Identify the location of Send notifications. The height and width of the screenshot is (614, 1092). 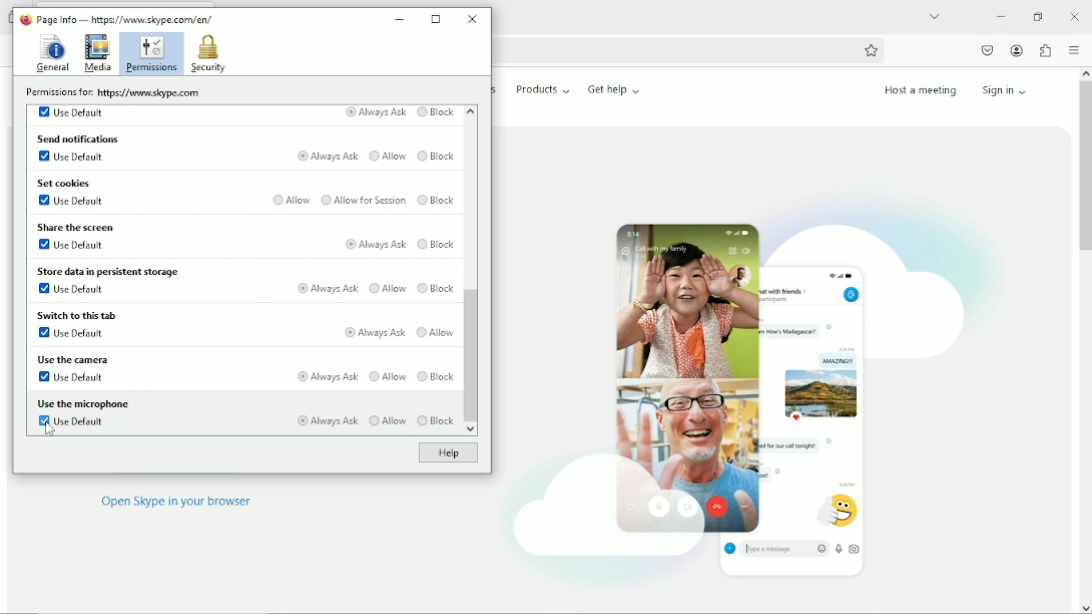
(79, 138).